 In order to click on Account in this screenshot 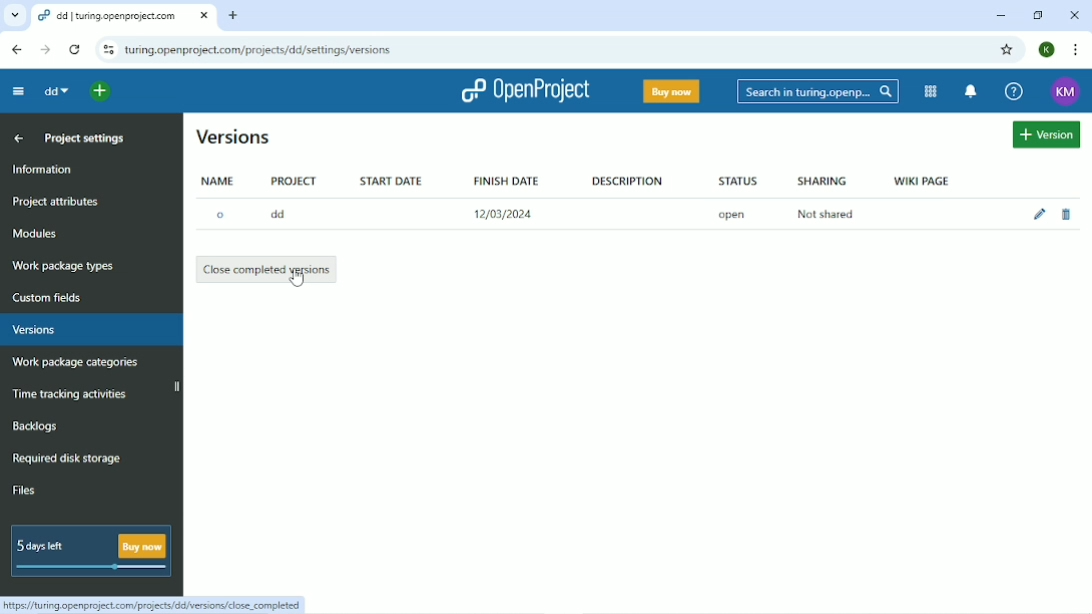, I will do `click(1066, 92)`.